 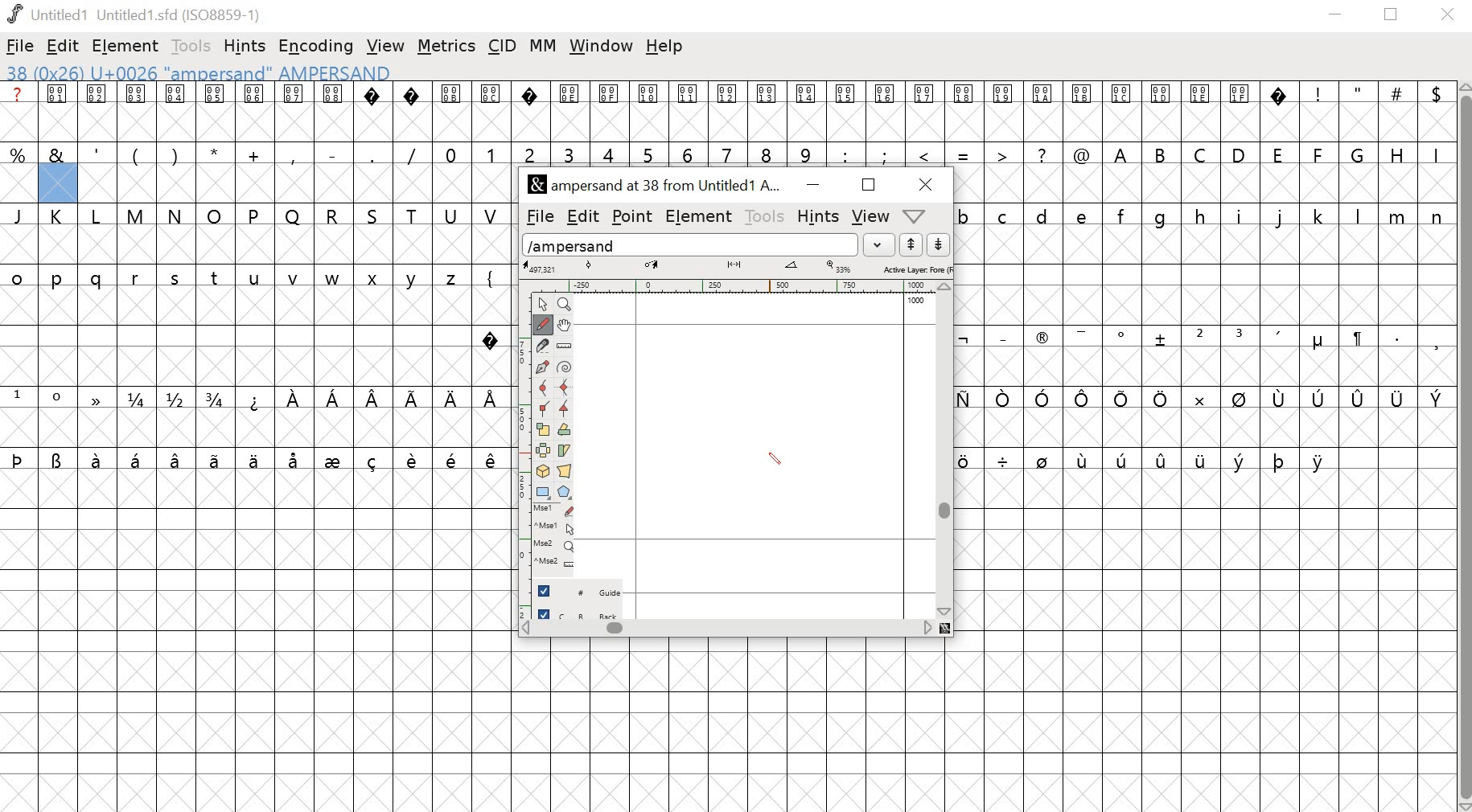 What do you see at coordinates (333, 397) in the screenshot?
I see `symbol` at bounding box center [333, 397].